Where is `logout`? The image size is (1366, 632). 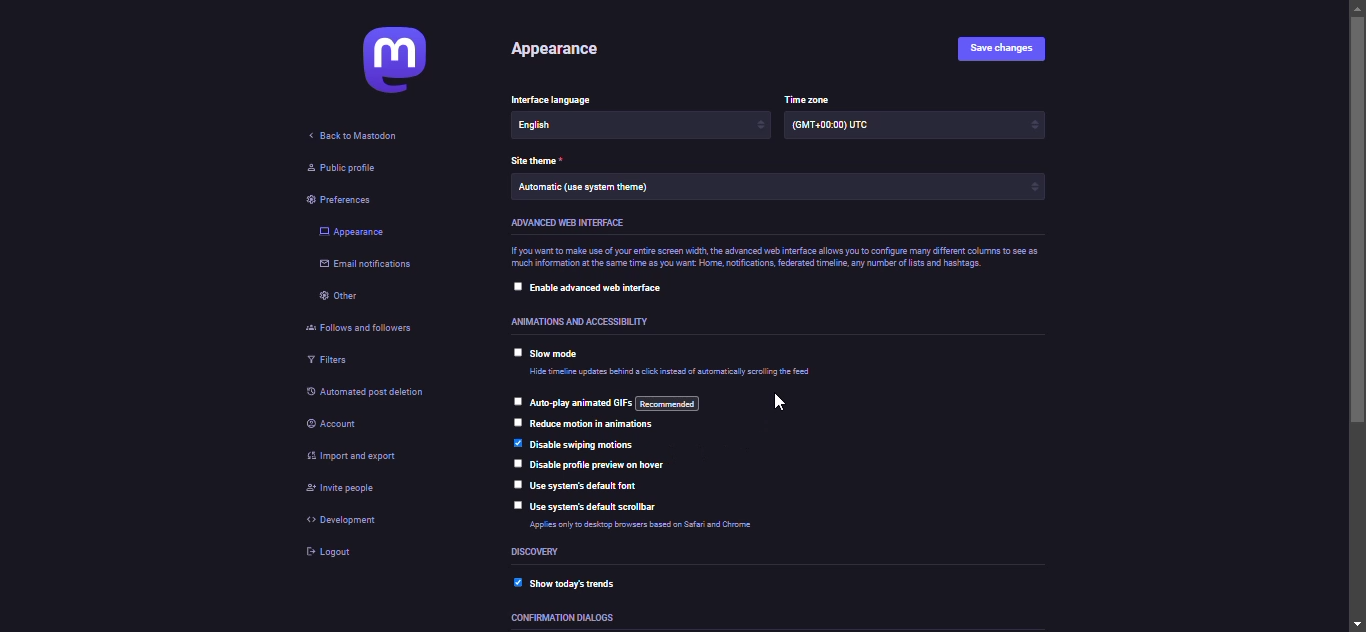
logout is located at coordinates (325, 553).